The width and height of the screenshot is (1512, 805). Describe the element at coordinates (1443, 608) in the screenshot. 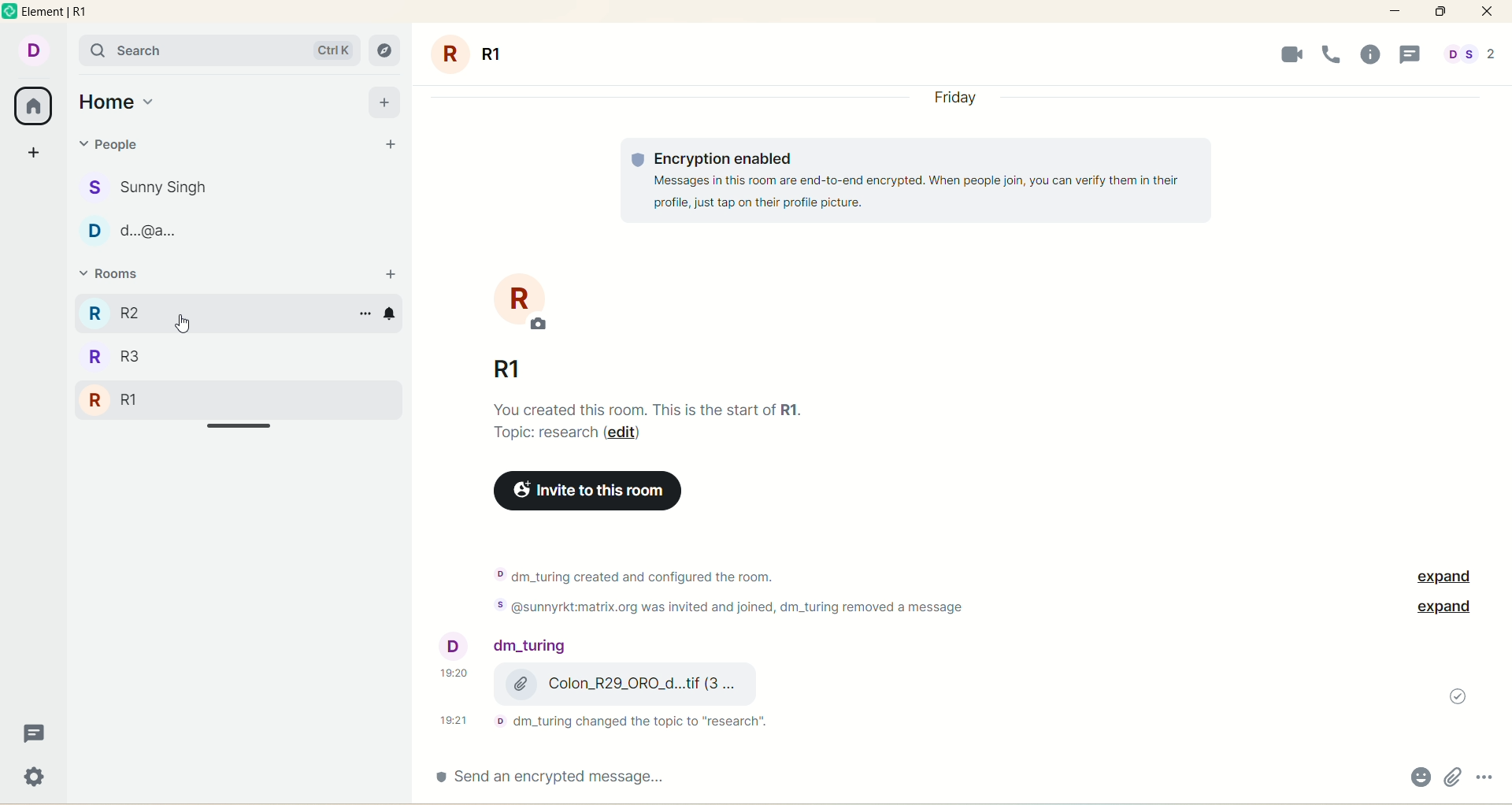

I see `expand` at that location.